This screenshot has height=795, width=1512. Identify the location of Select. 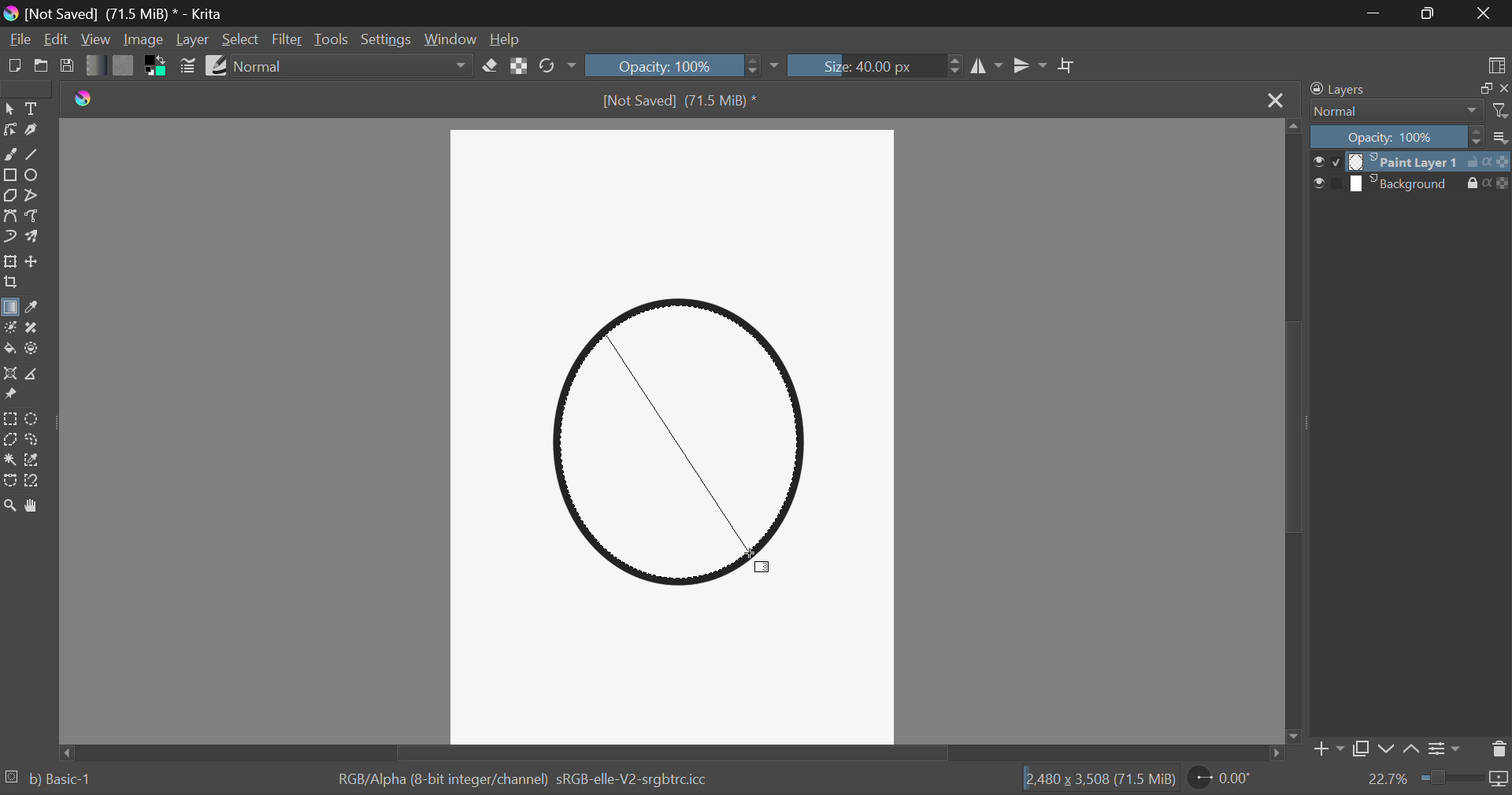
(241, 42).